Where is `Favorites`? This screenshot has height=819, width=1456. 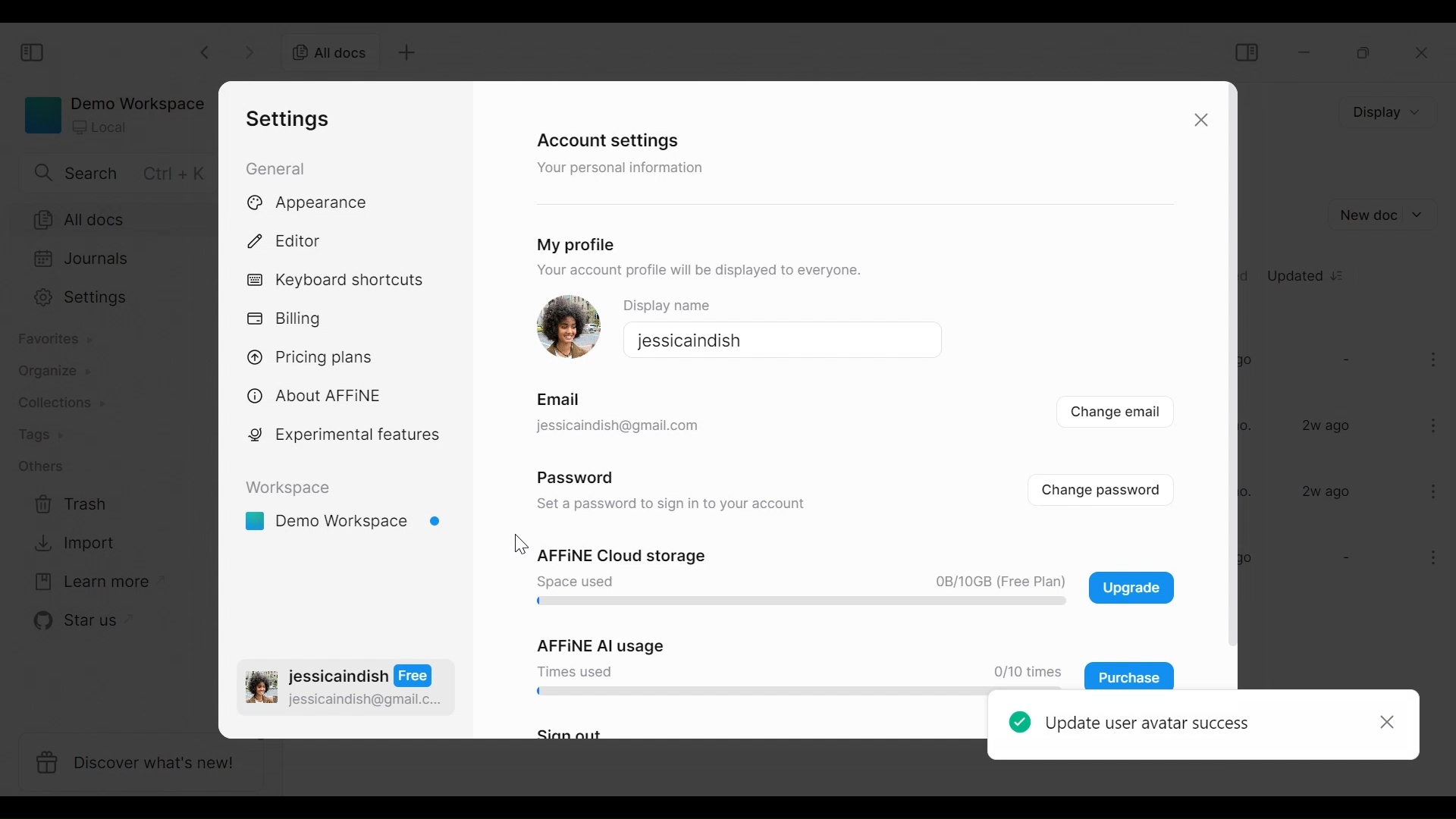
Favorites is located at coordinates (58, 340).